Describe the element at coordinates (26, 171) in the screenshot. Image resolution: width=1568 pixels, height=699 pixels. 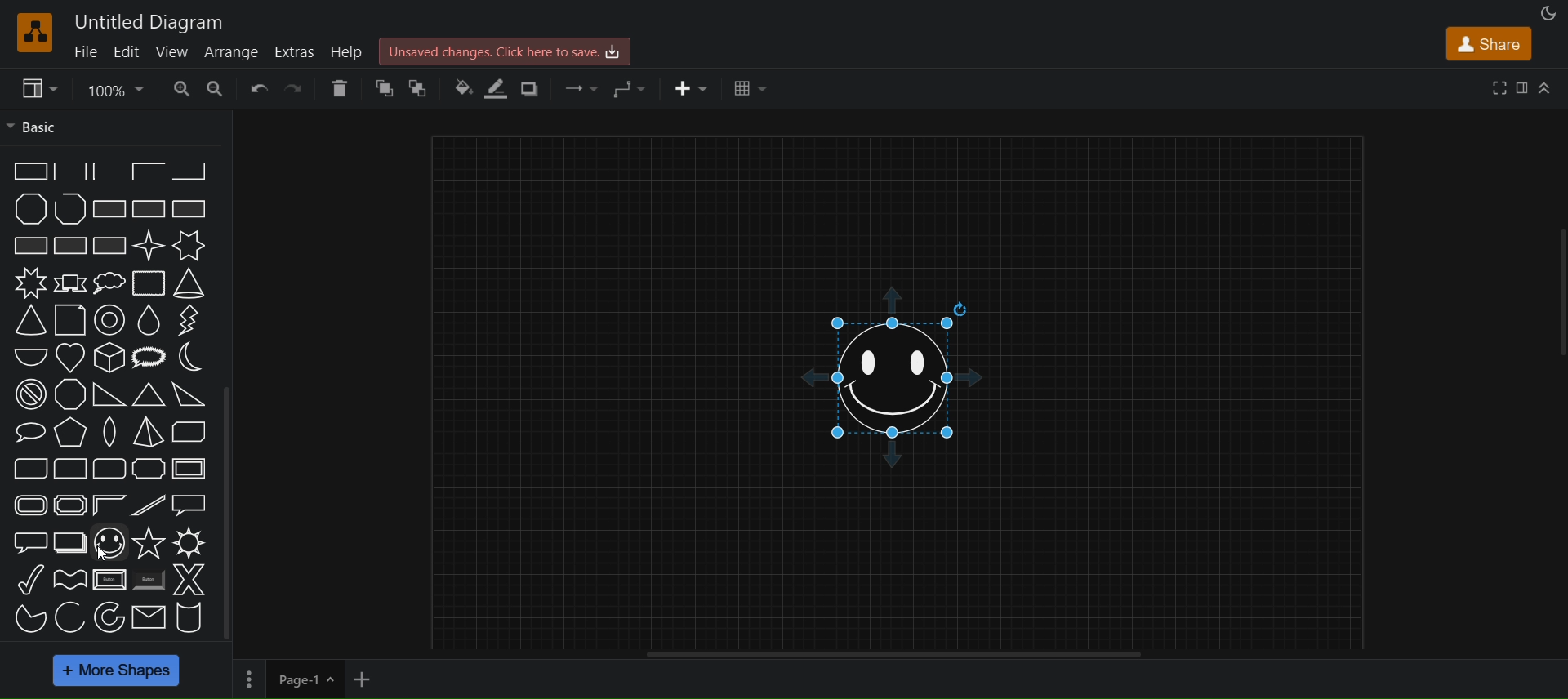
I see `partial rectangle` at that location.